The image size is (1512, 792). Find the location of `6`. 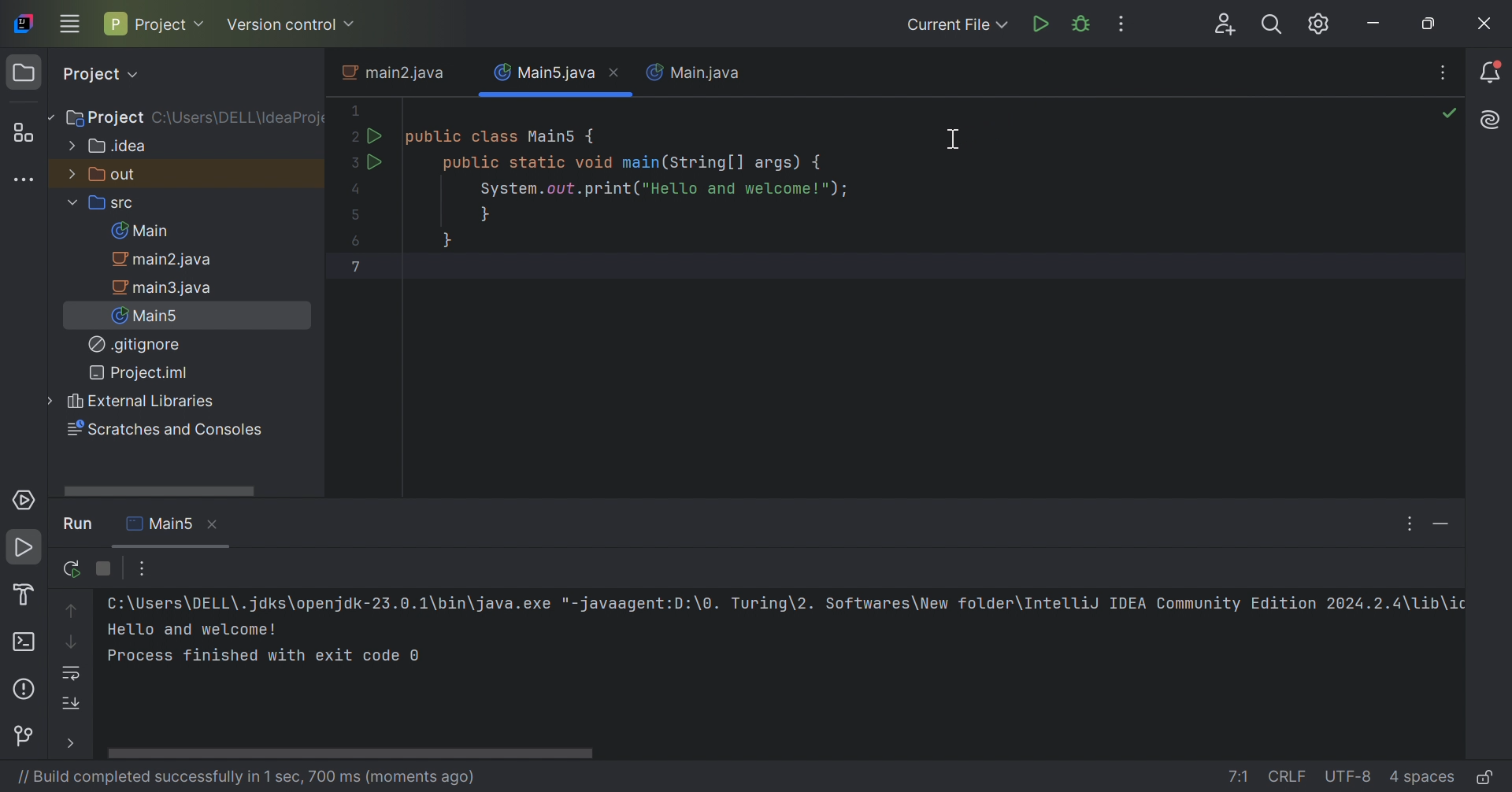

6 is located at coordinates (354, 241).